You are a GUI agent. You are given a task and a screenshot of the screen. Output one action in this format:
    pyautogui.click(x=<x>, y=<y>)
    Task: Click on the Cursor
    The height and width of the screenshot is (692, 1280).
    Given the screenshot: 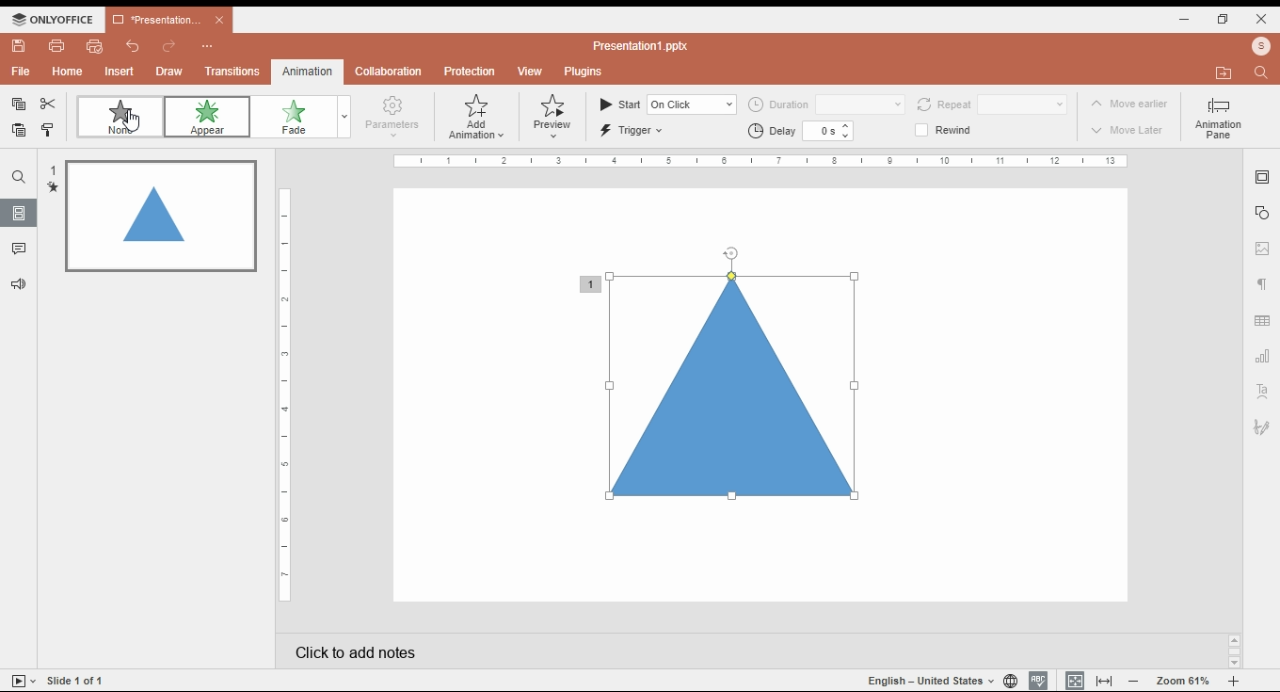 What is the action you would take?
    pyautogui.click(x=131, y=124)
    